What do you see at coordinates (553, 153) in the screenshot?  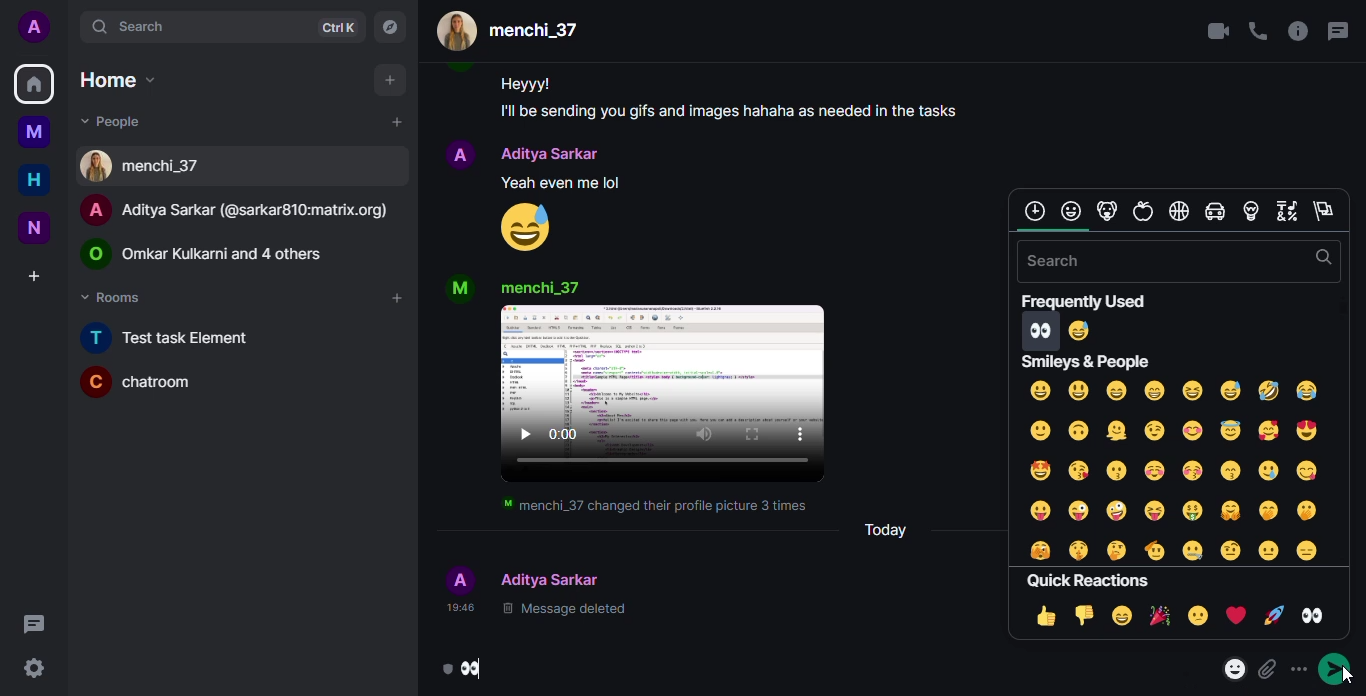 I see `people` at bounding box center [553, 153].